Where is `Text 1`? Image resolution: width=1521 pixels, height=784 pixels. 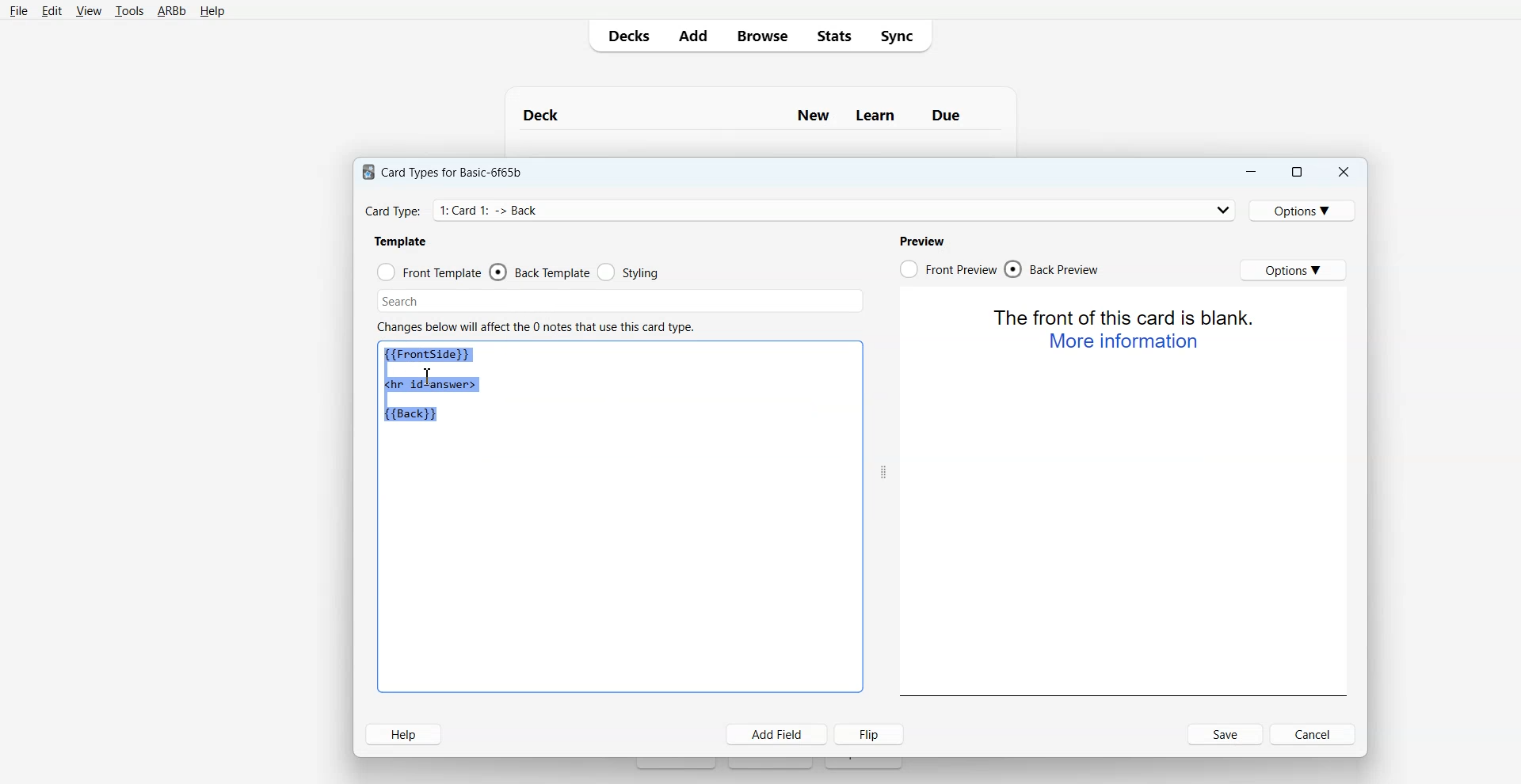 Text 1 is located at coordinates (438, 386).